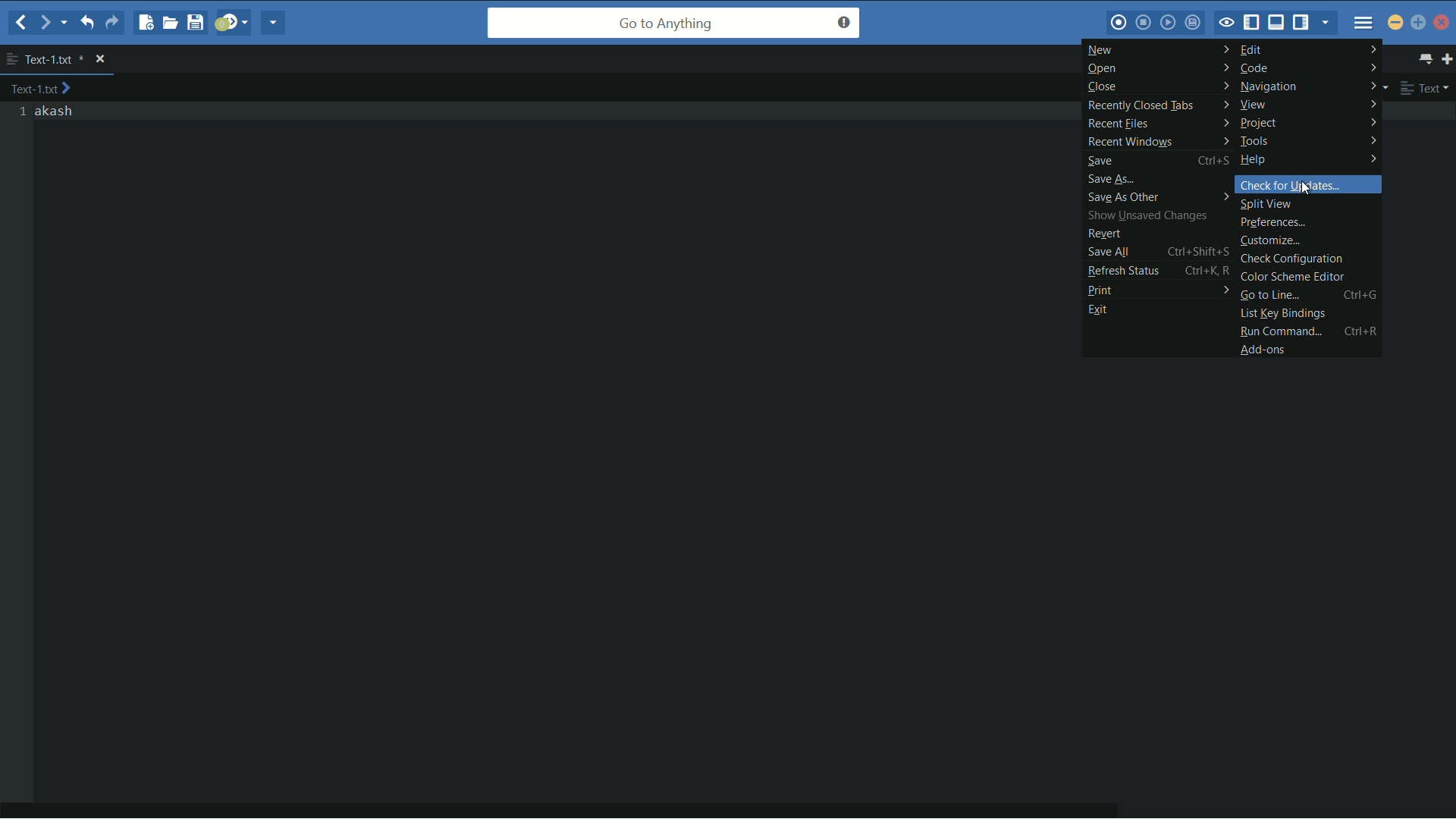  Describe the element at coordinates (1146, 22) in the screenshot. I see `stop macro` at that location.